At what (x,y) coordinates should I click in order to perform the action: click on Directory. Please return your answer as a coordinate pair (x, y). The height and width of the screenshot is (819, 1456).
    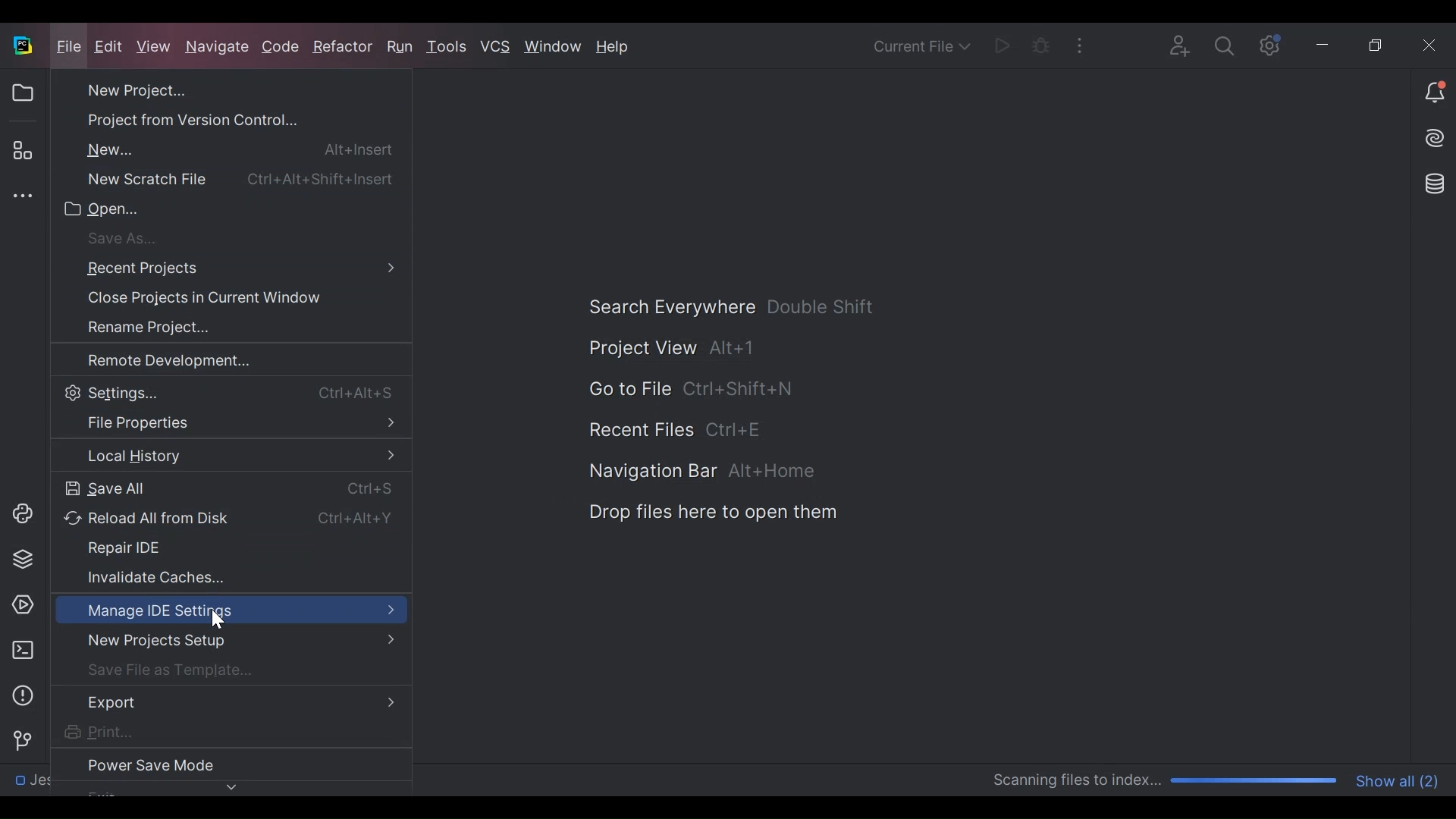
    Looking at the image, I should click on (74, 783).